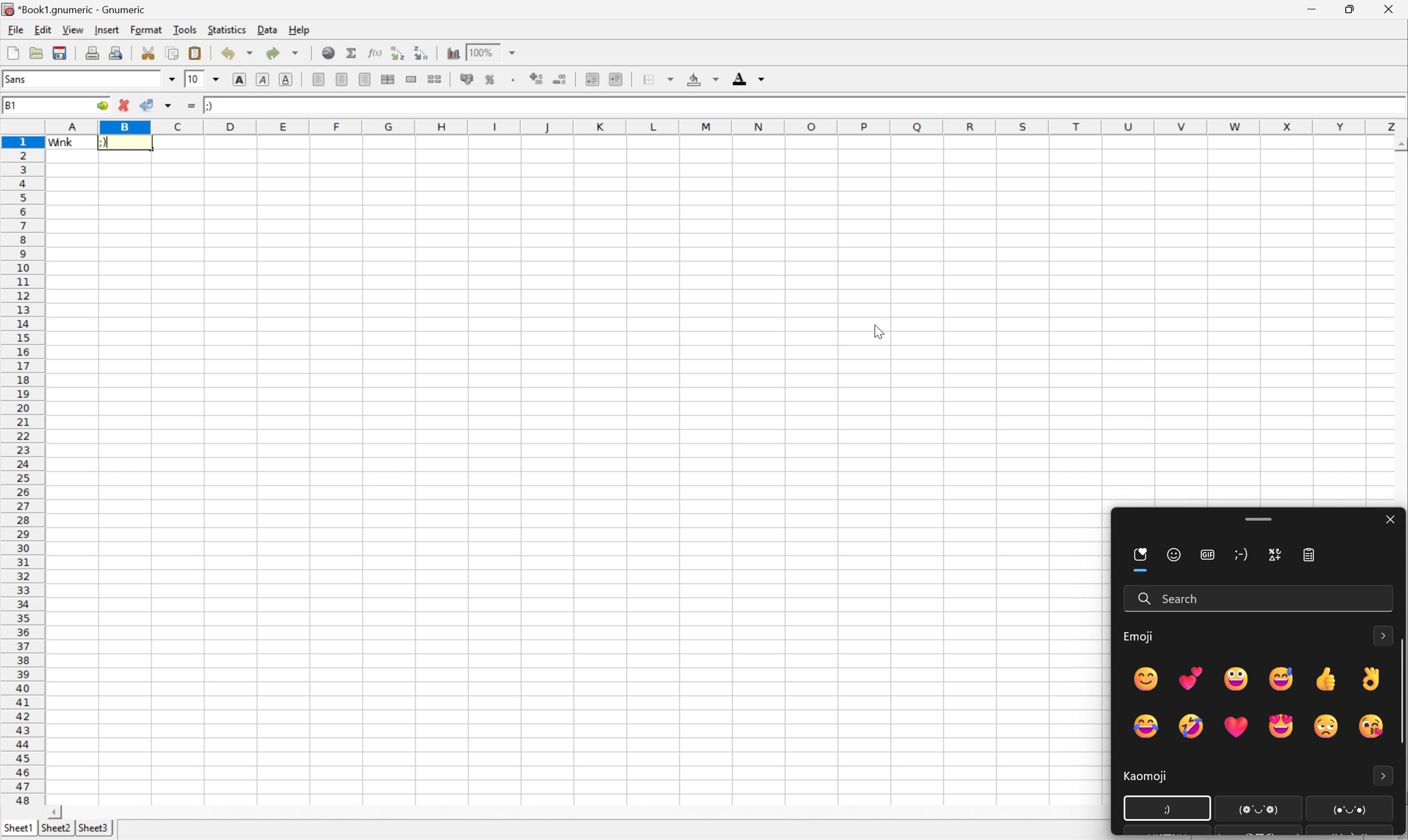  I want to click on emoji, so click(1140, 639).